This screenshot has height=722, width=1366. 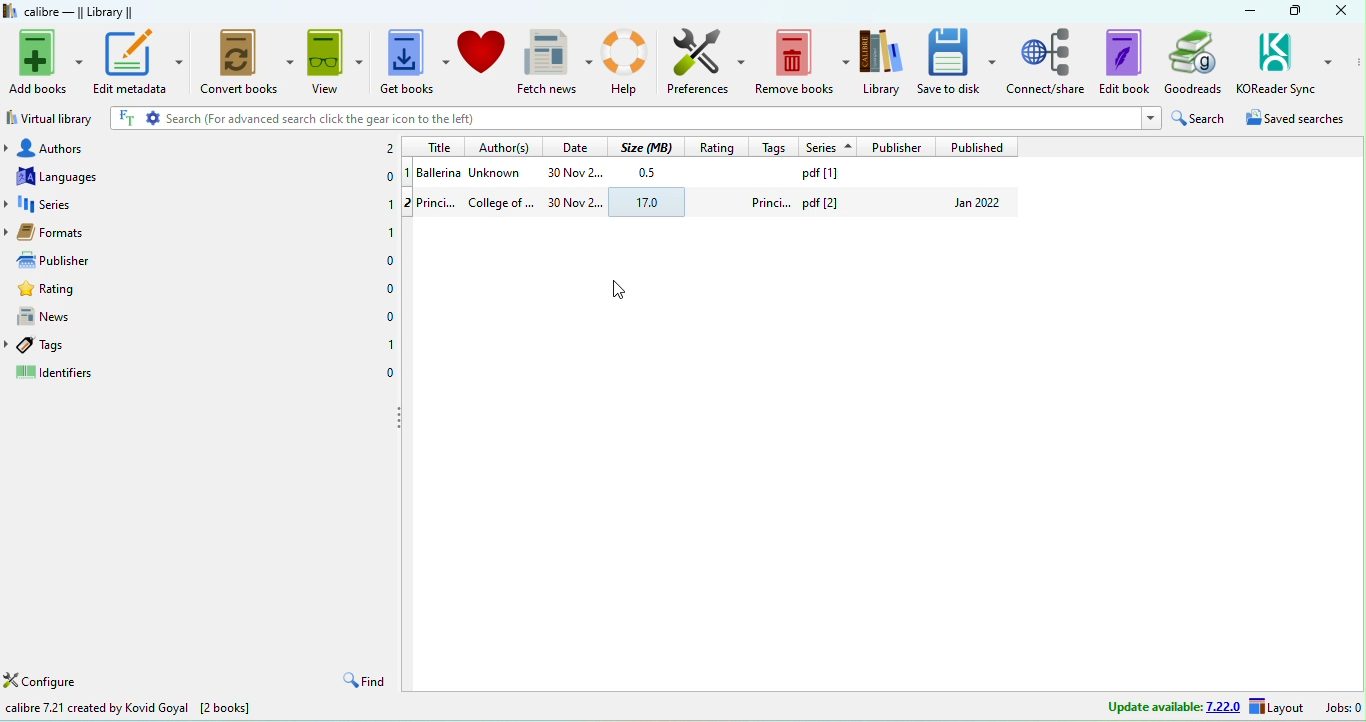 I want to click on 1 balleina, so click(x=433, y=171).